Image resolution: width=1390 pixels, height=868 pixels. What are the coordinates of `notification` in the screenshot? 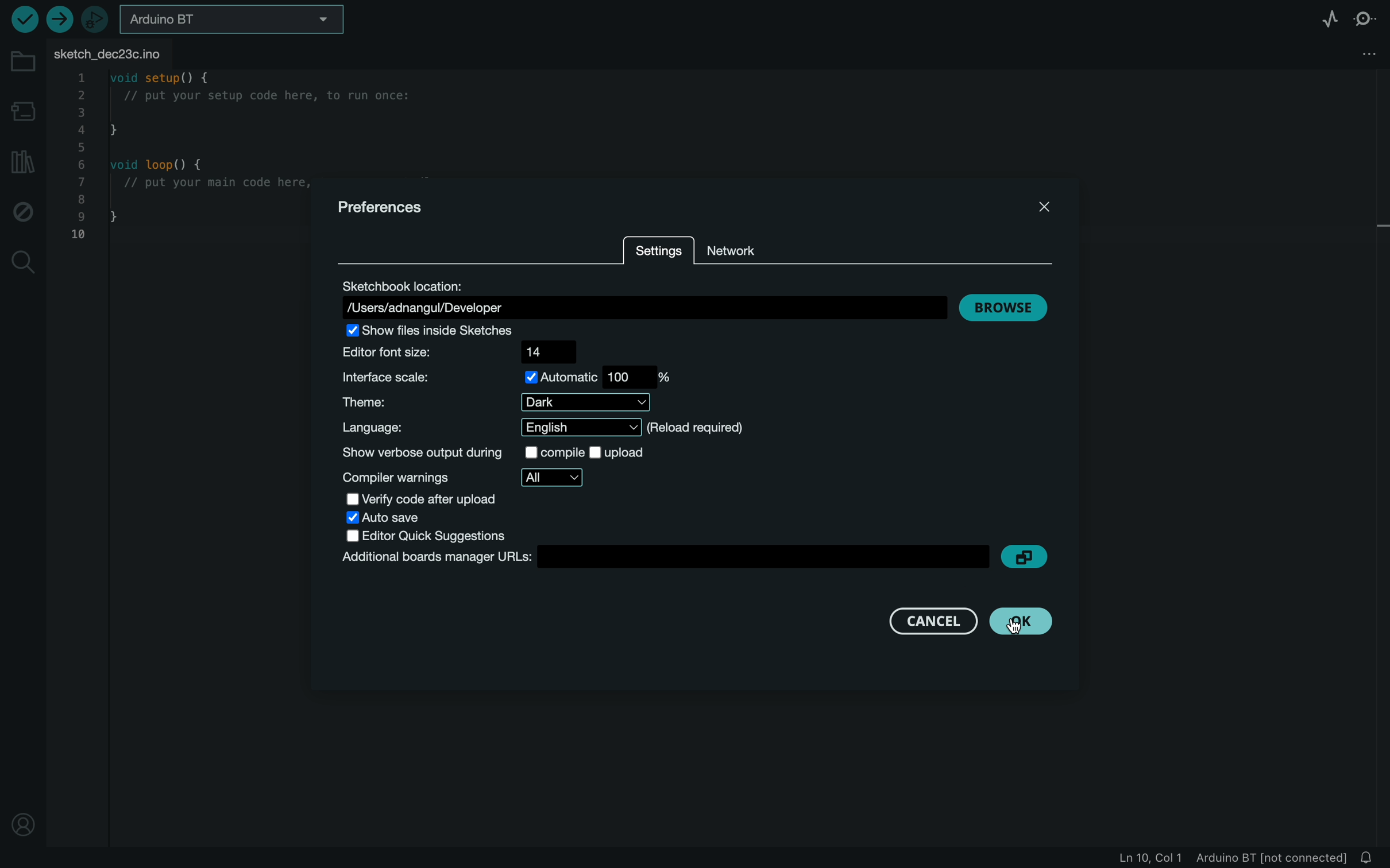 It's located at (1368, 857).